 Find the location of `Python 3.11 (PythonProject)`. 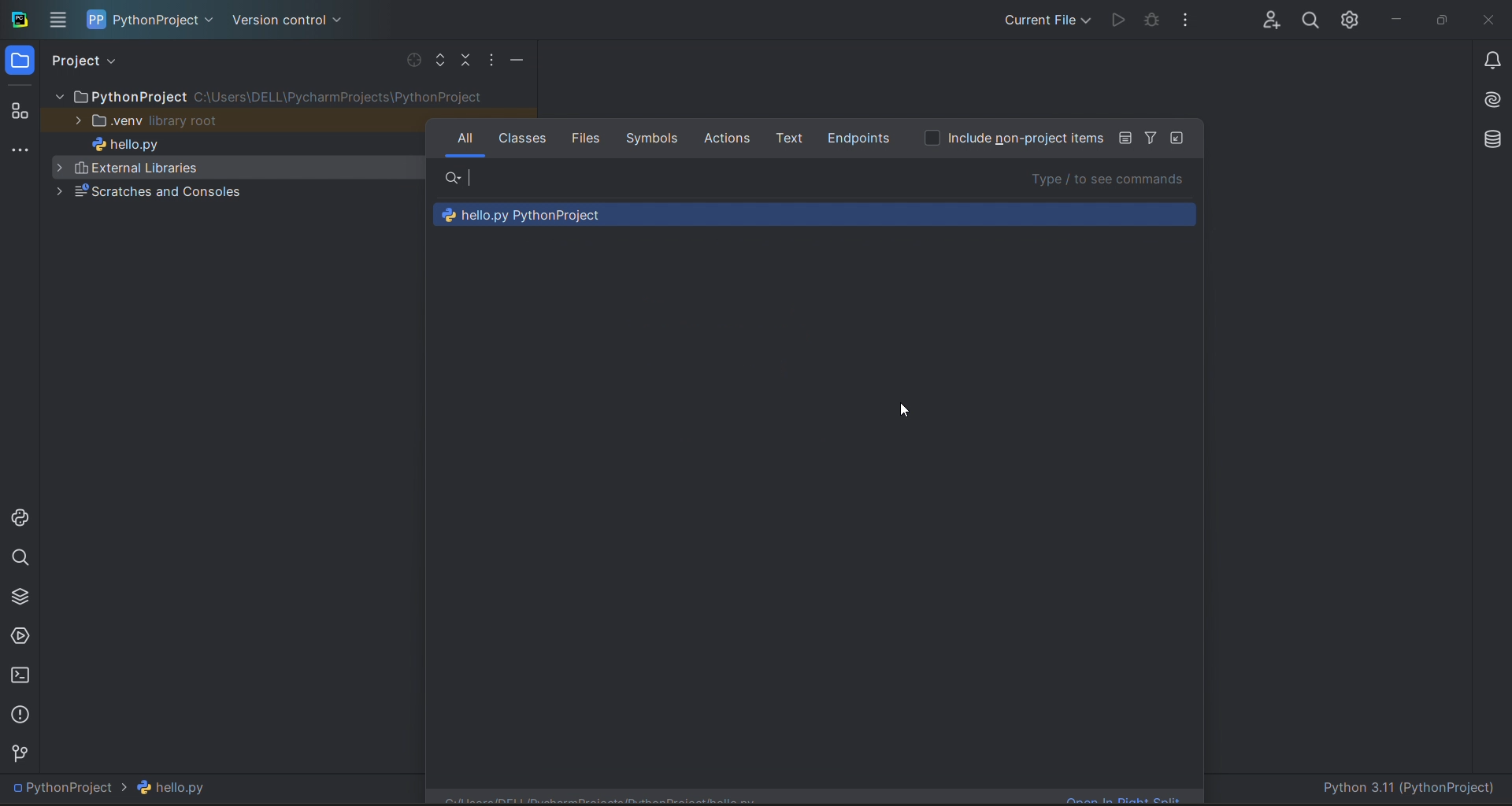

Python 3.11 (PythonProject) is located at coordinates (1411, 788).